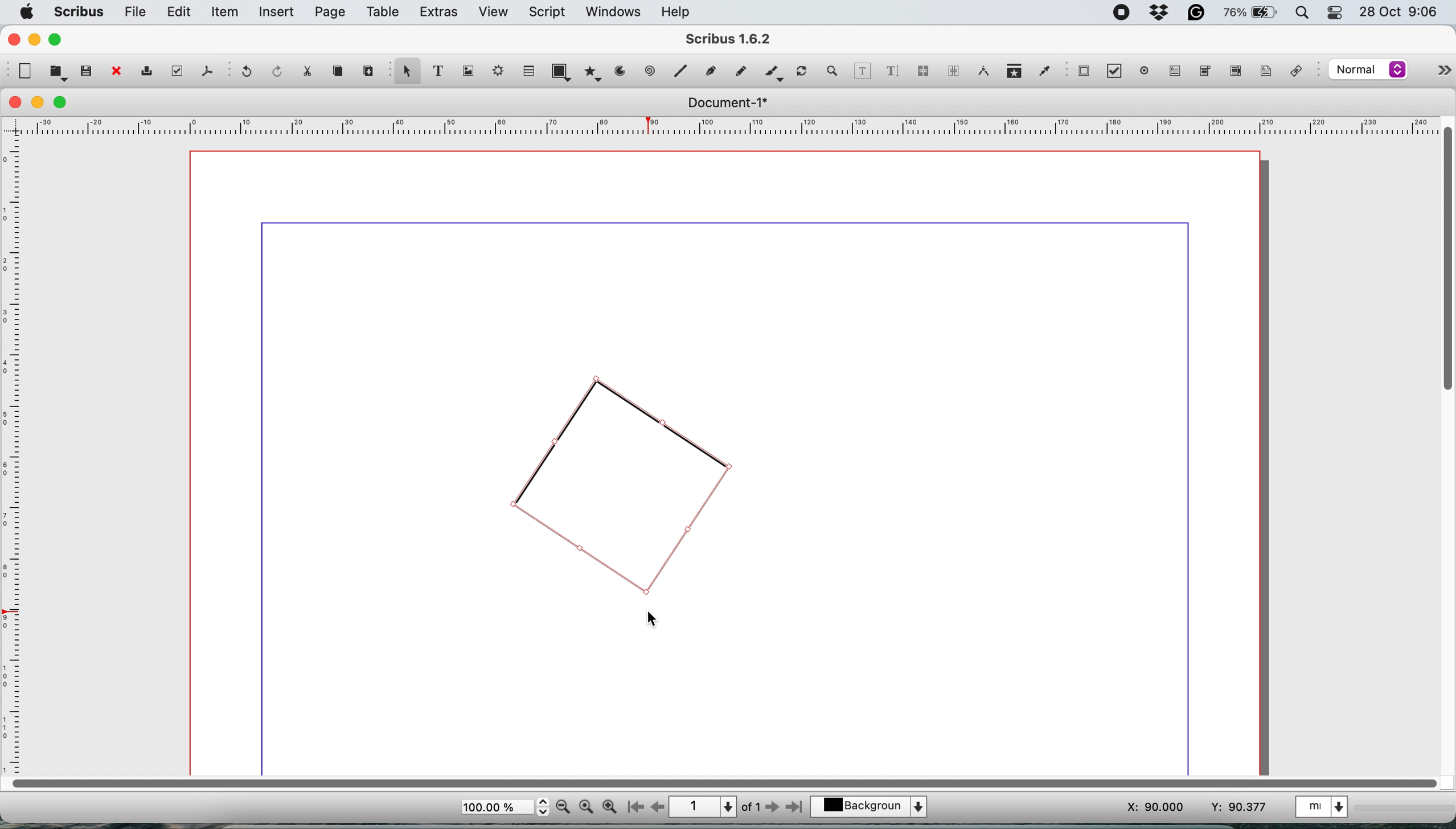 This screenshot has width=1456, height=829. What do you see at coordinates (25, 71) in the screenshot?
I see `new` at bounding box center [25, 71].